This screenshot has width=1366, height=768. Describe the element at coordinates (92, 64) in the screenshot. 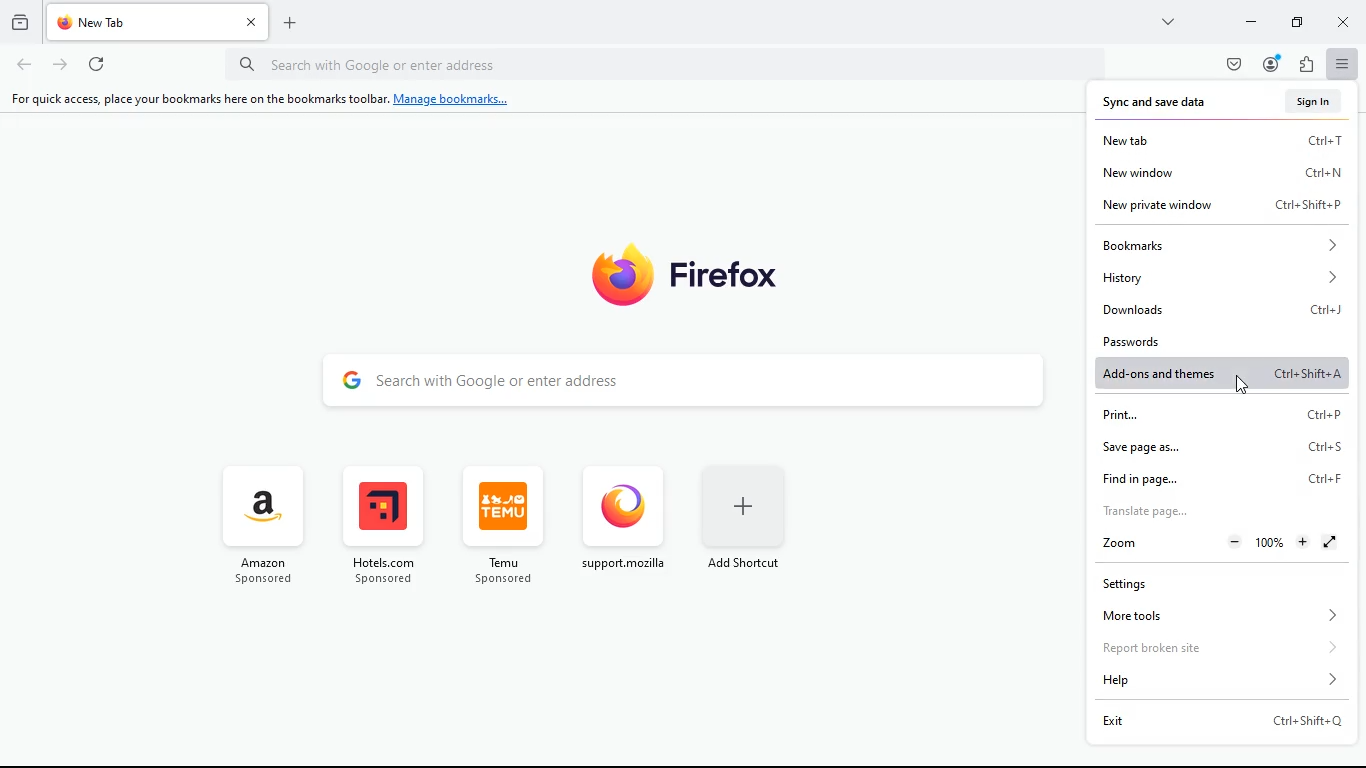

I see `refresh` at that location.